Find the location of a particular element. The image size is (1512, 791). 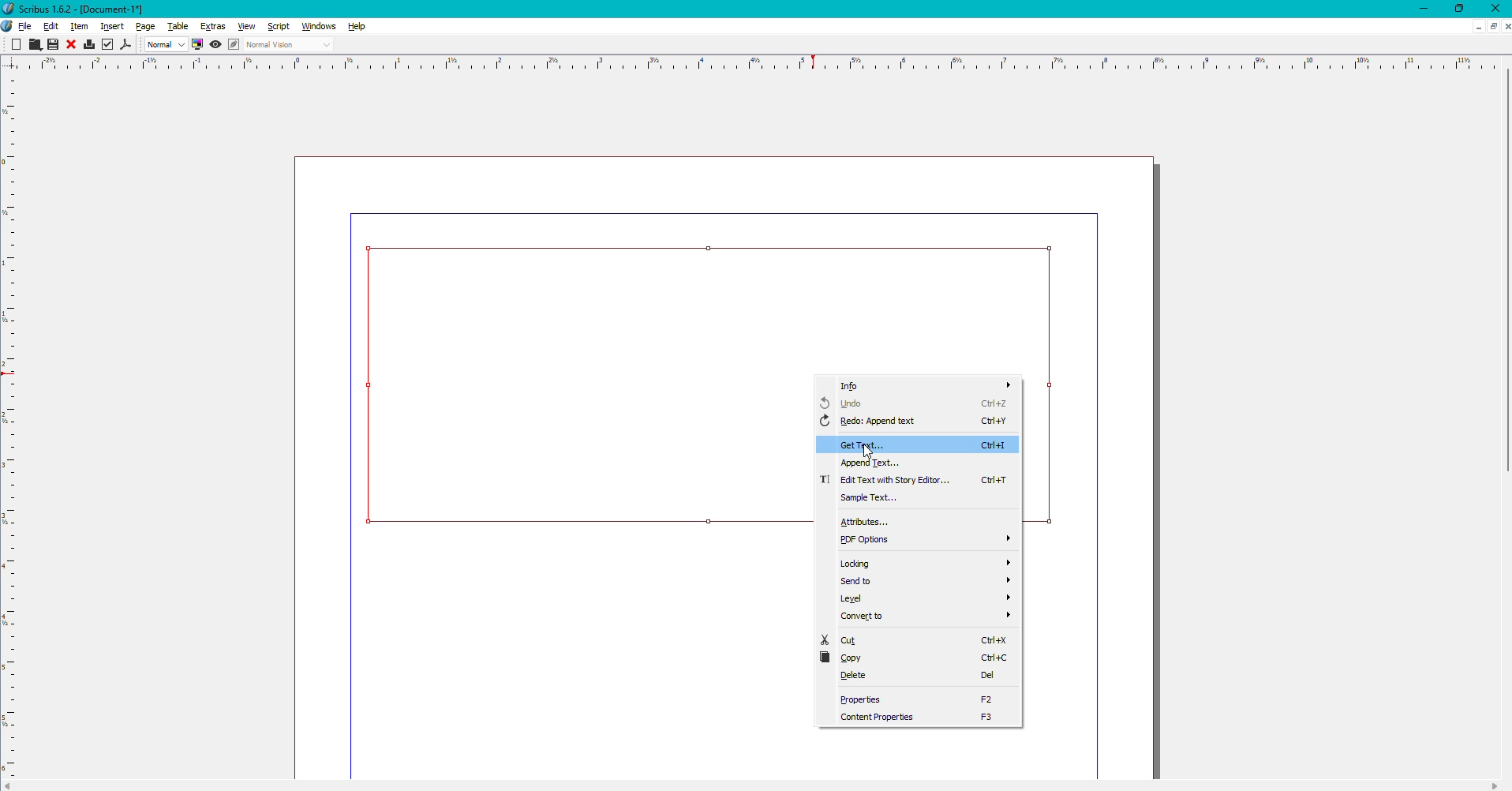

Append text is located at coordinates (860, 463).